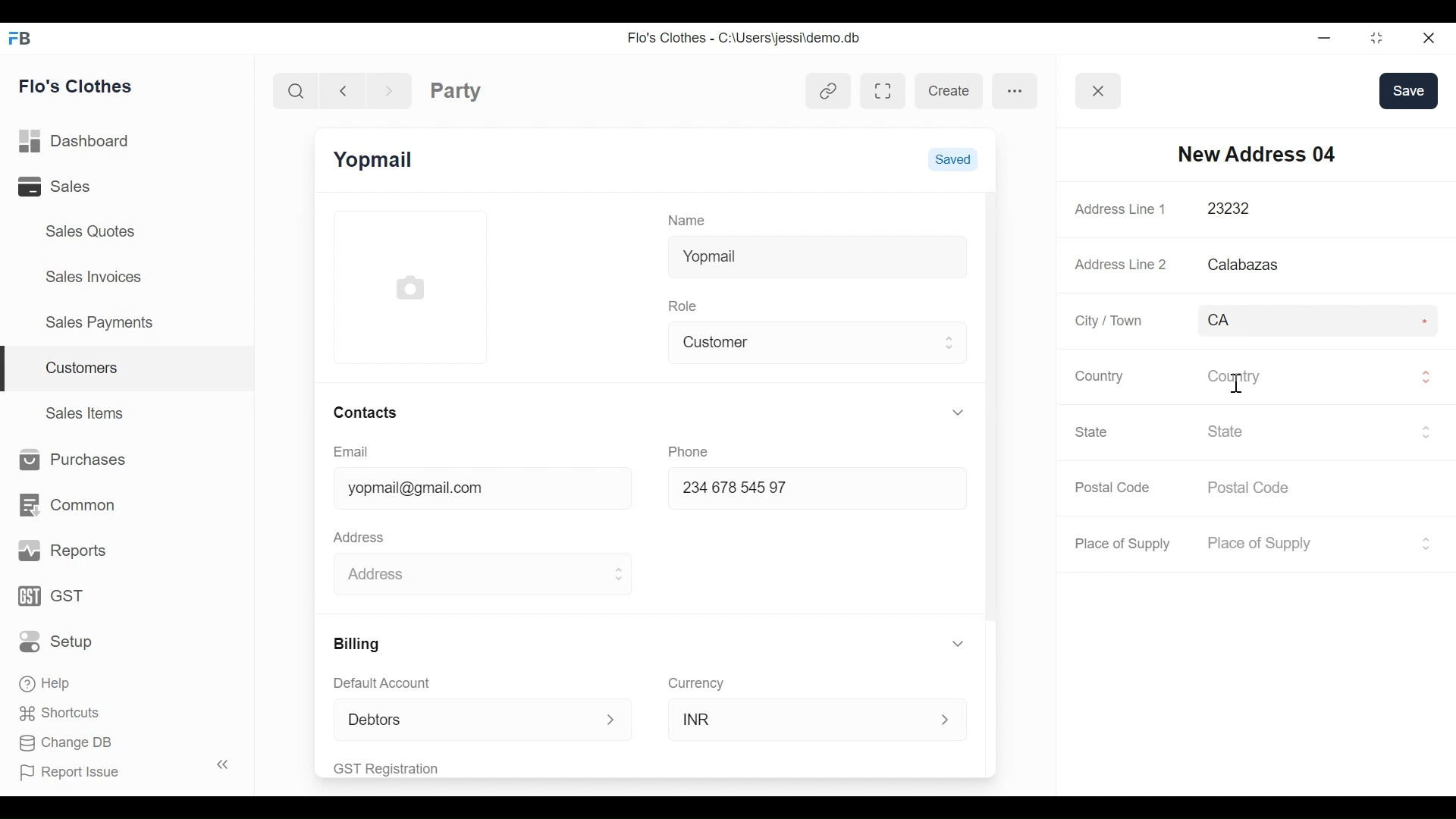  I want to click on New Address 04, so click(1257, 153).